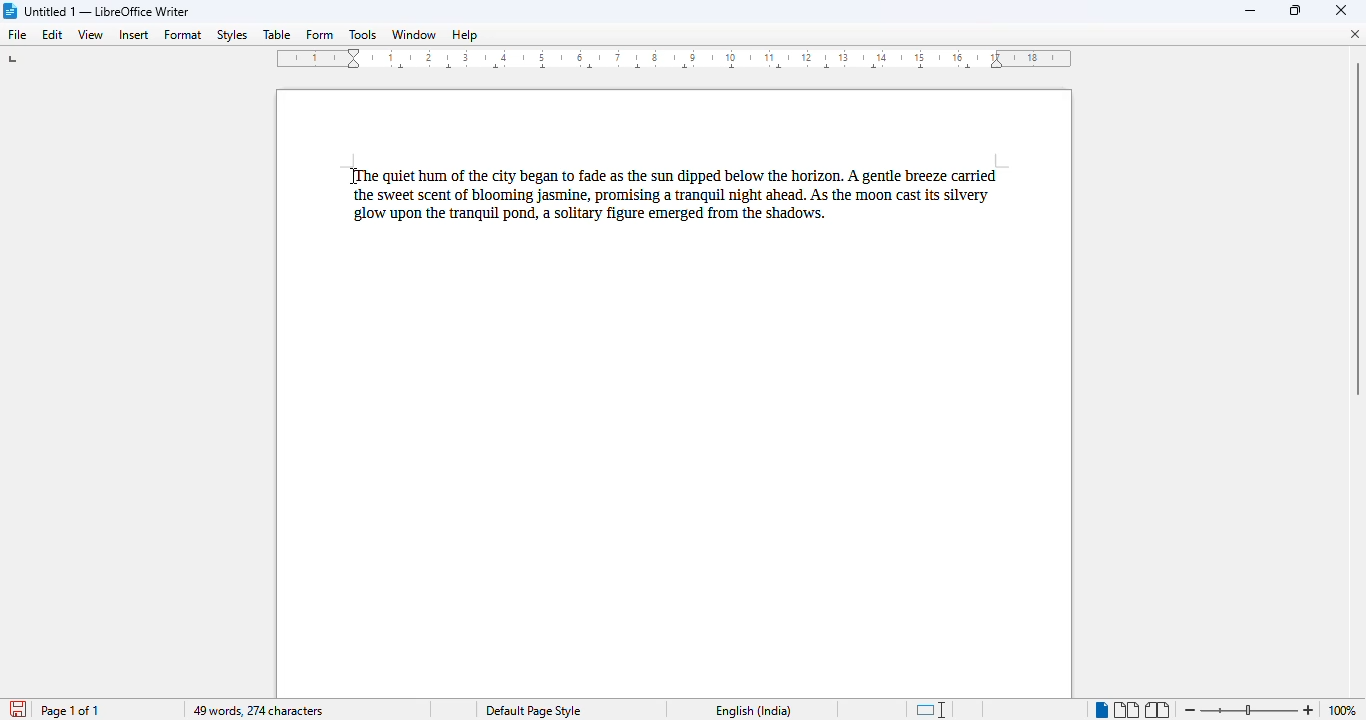 Image resolution: width=1366 pixels, height=720 pixels. I want to click on vertical scroll bar, so click(1353, 228).